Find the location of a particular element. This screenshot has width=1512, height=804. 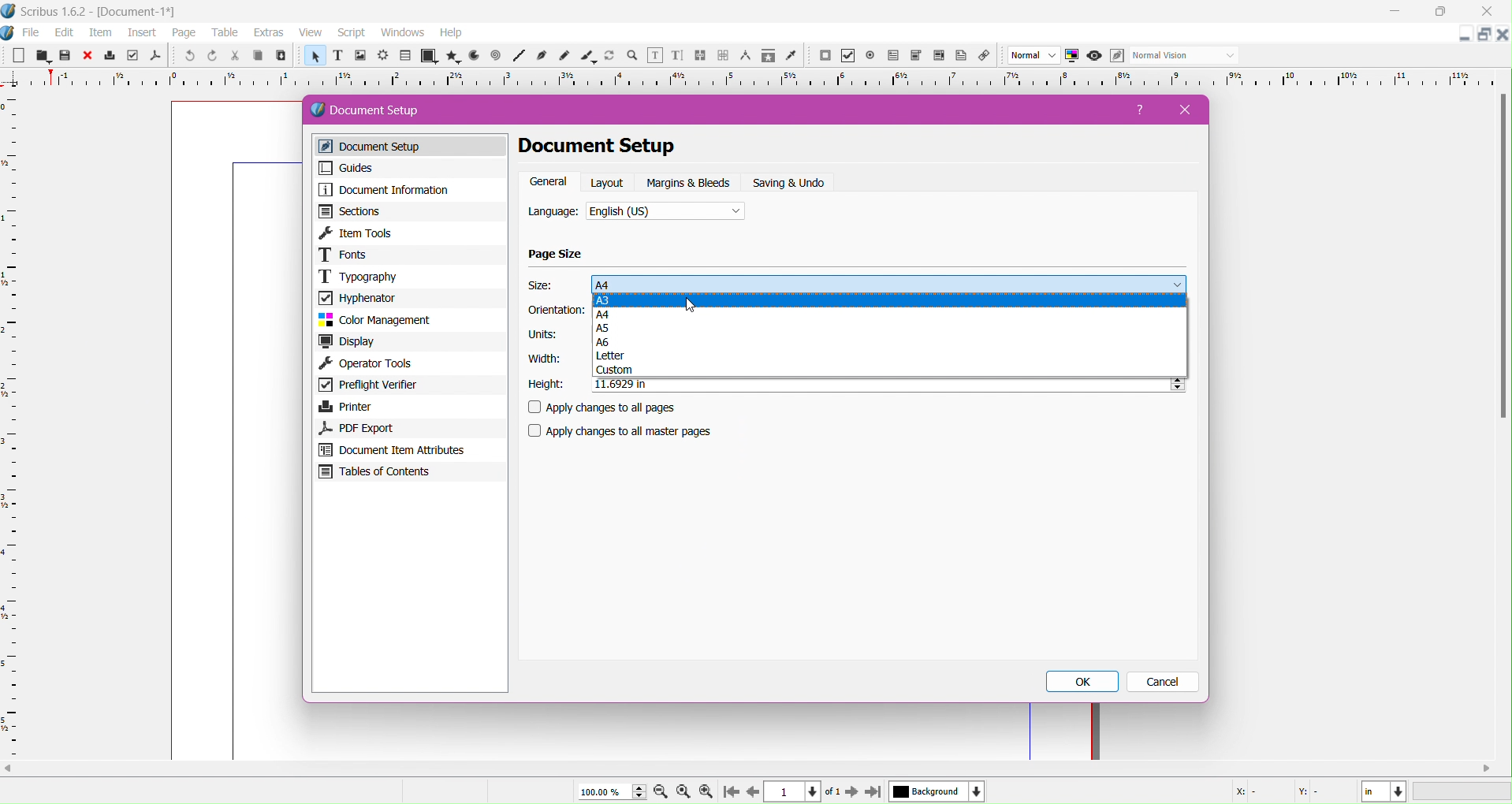

undo is located at coordinates (188, 57).